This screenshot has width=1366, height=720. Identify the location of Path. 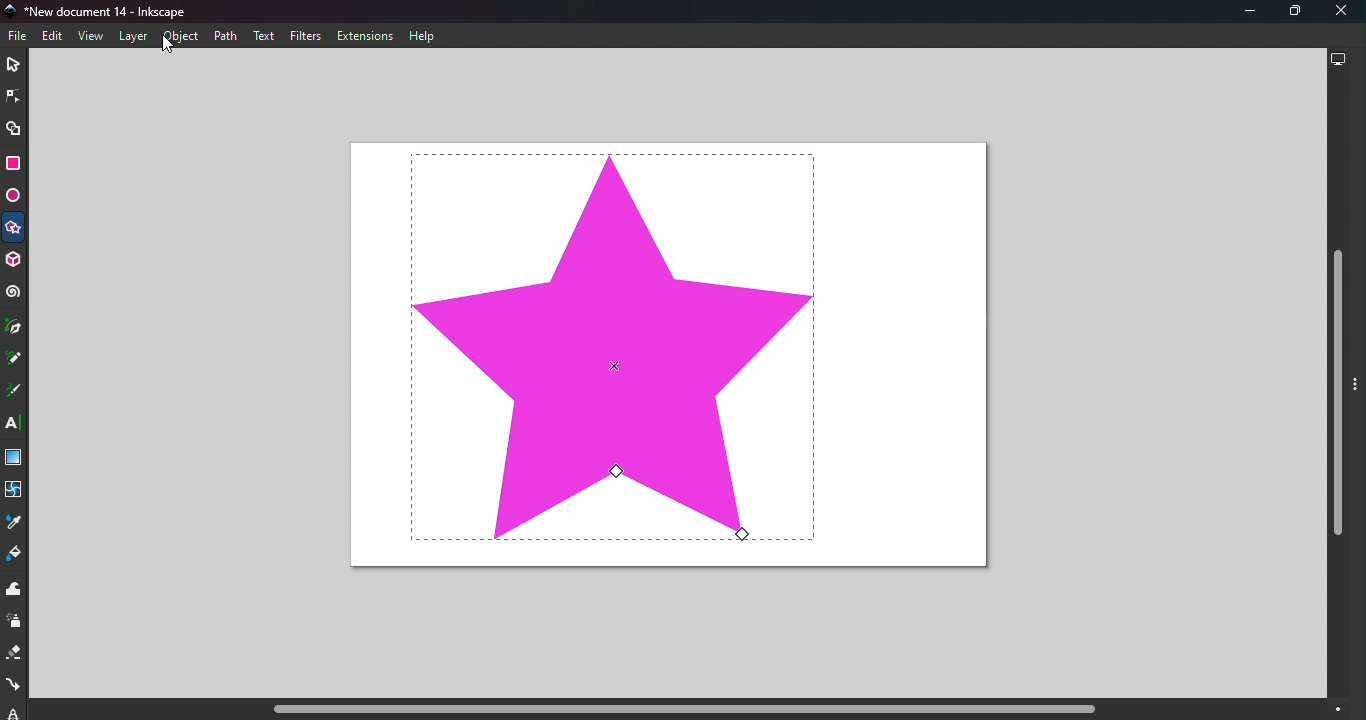
(223, 35).